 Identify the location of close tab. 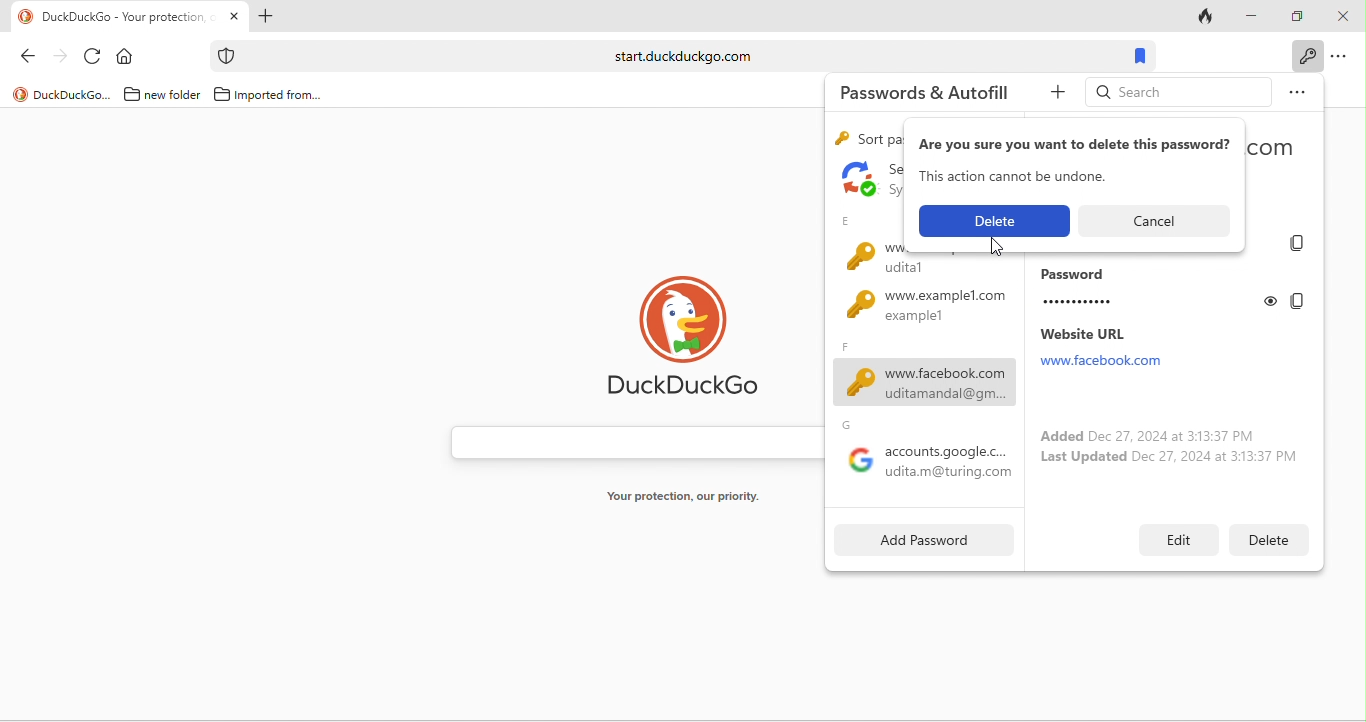
(235, 16).